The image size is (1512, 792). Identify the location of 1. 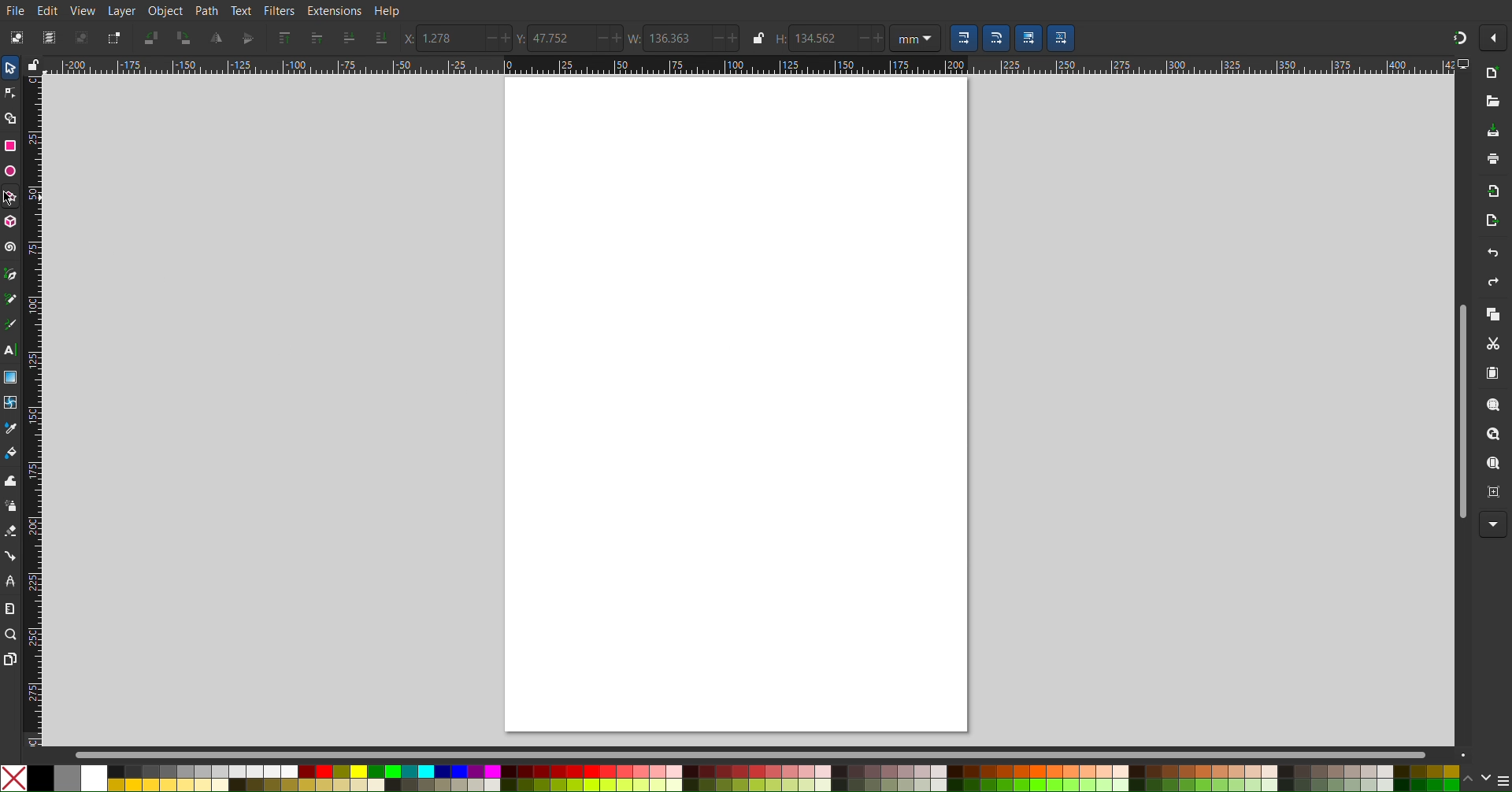
(450, 38).